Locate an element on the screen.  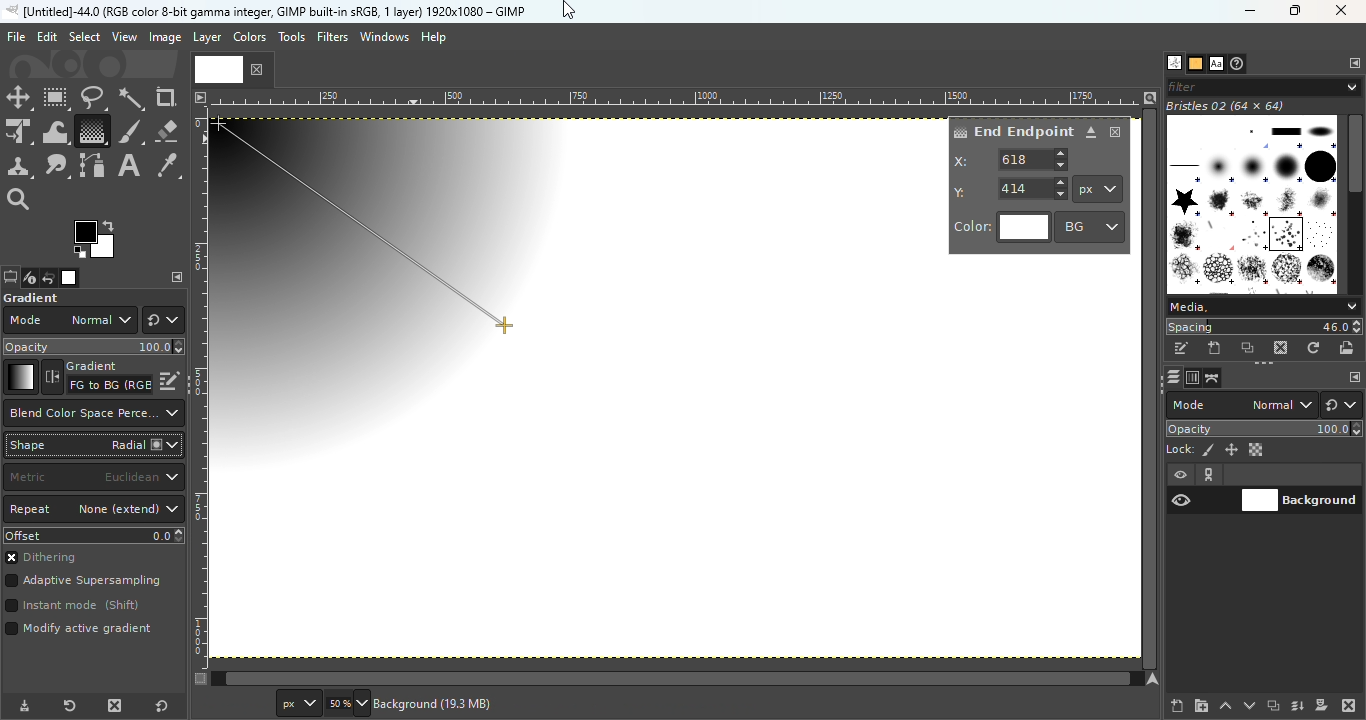
Select is located at coordinates (84, 36).